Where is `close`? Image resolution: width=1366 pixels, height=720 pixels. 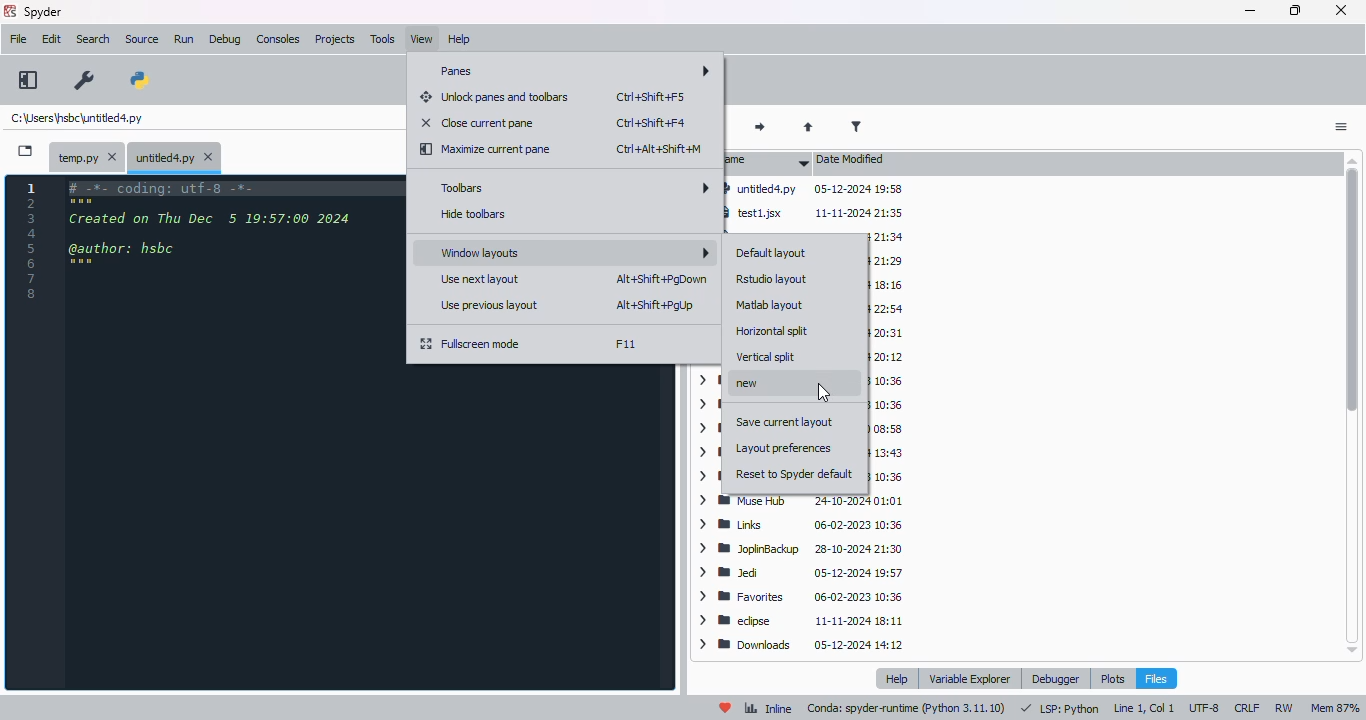 close is located at coordinates (1340, 10).